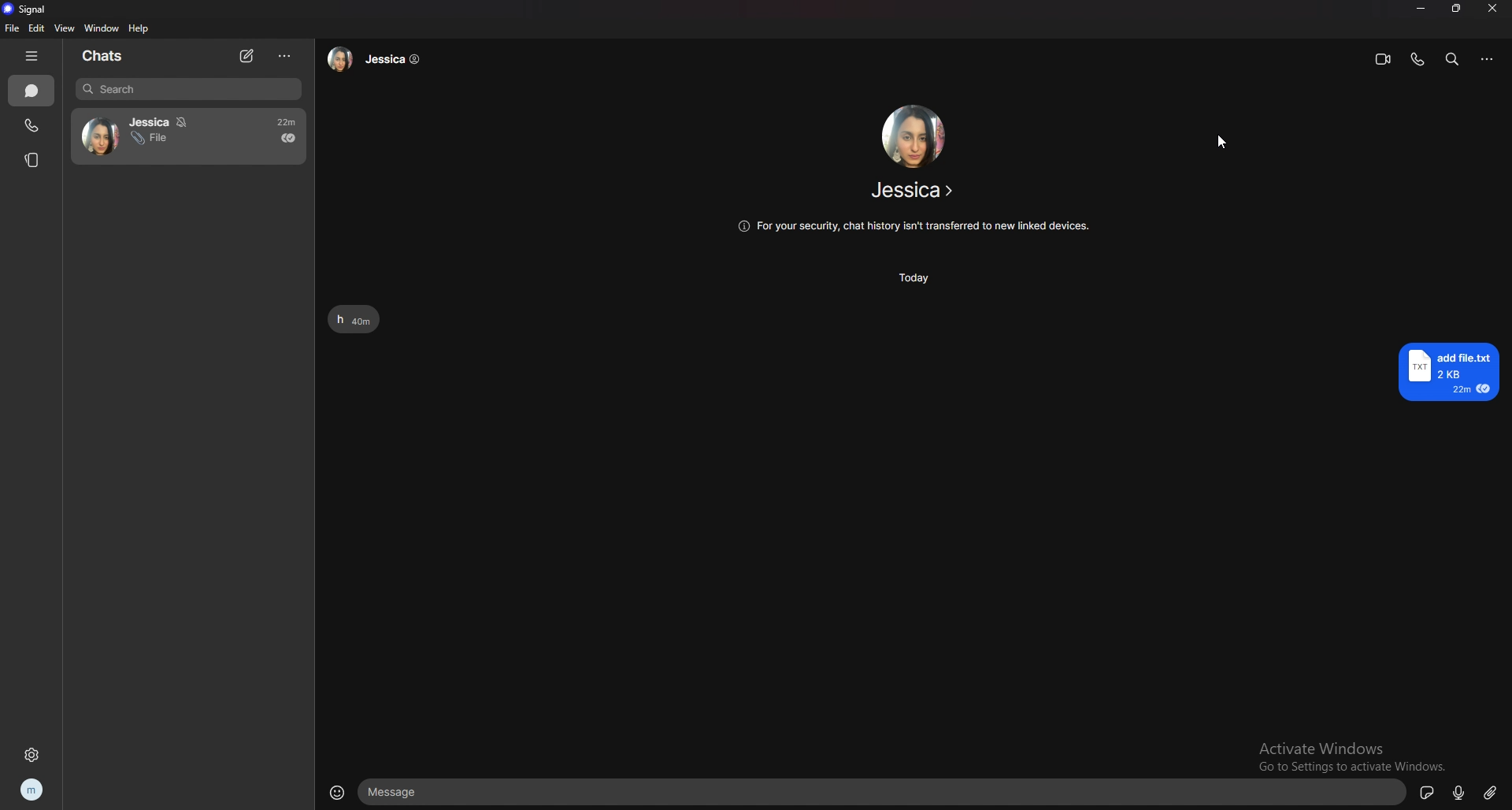  I want to click on Jessica, so click(157, 121).